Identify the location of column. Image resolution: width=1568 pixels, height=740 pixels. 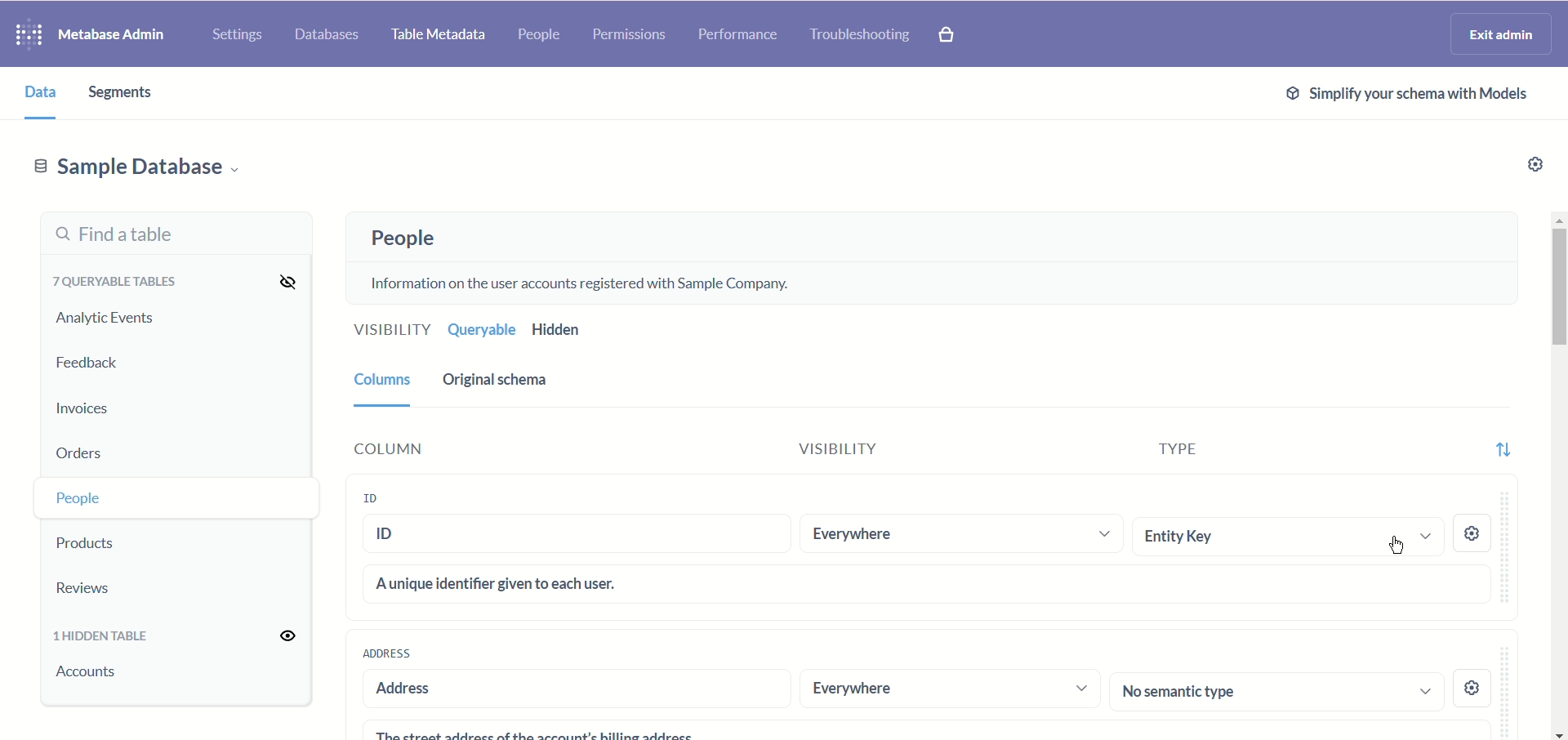
(443, 448).